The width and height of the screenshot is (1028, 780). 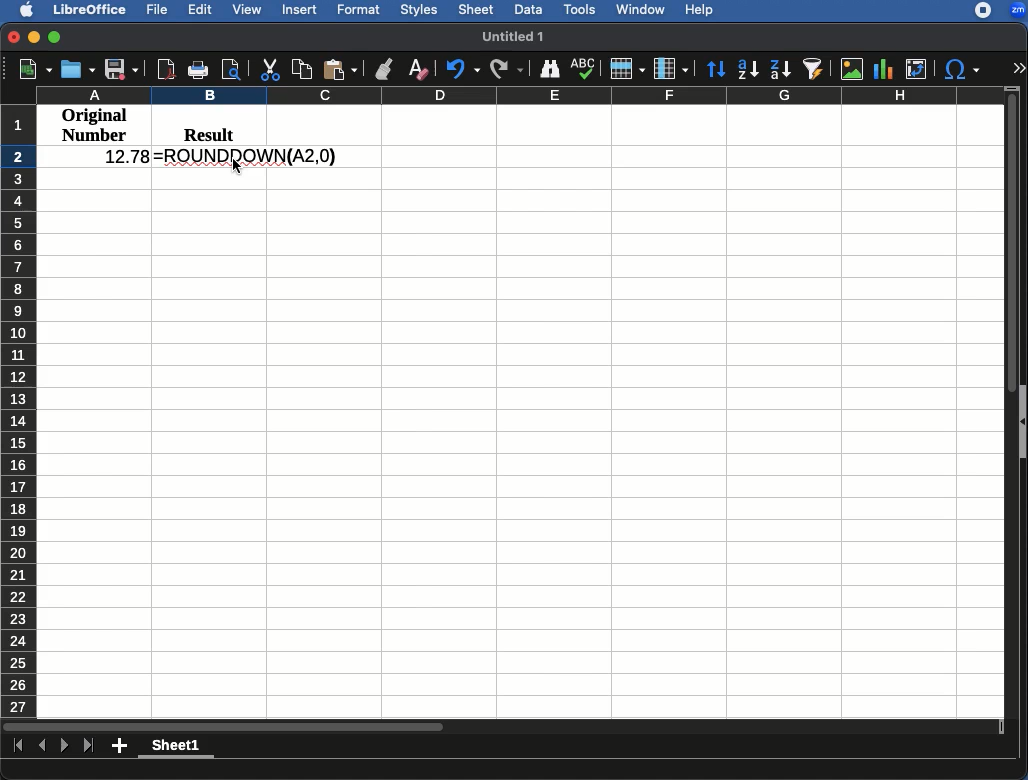 I want to click on Original number, so click(x=95, y=127).